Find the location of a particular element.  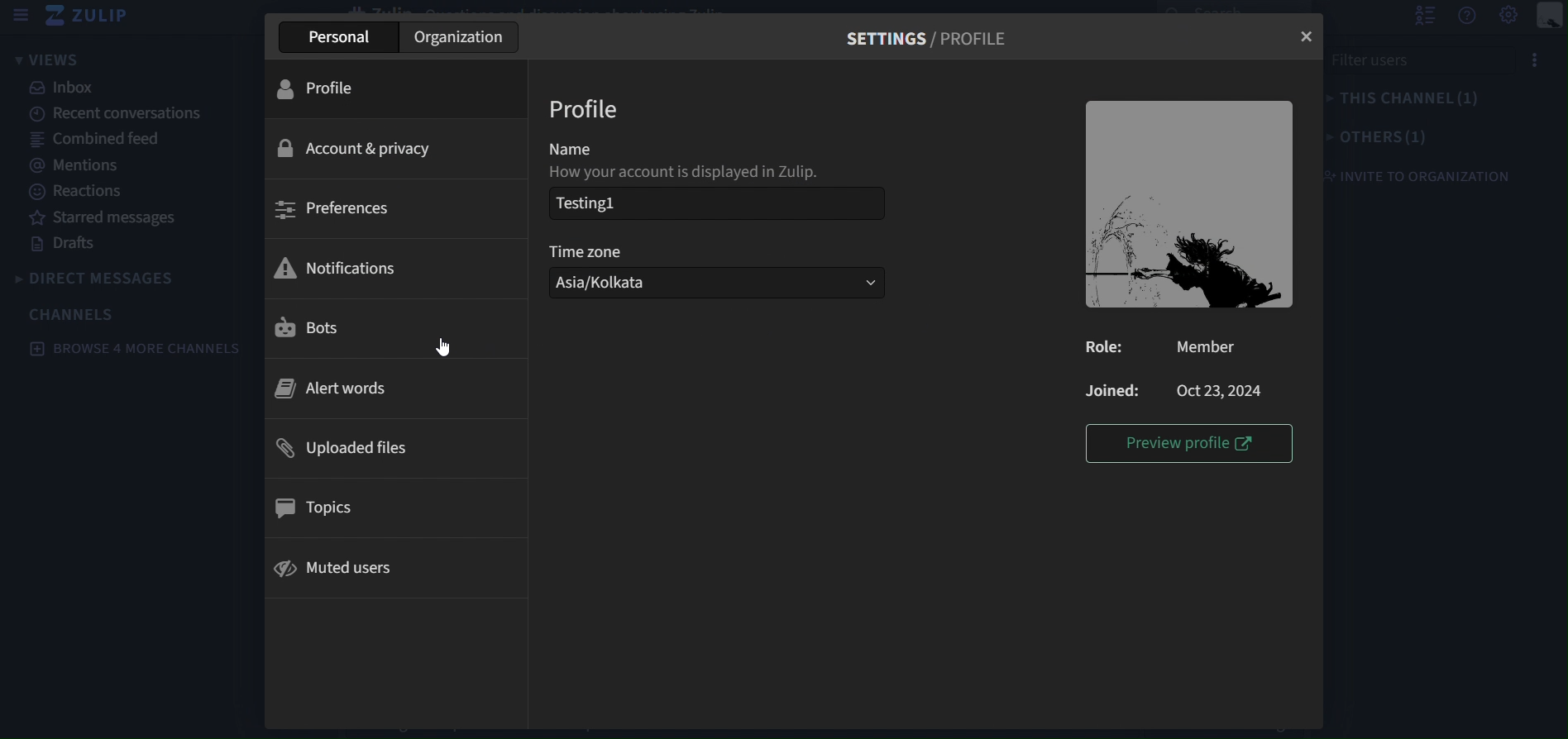

this channel(1) is located at coordinates (1431, 102).